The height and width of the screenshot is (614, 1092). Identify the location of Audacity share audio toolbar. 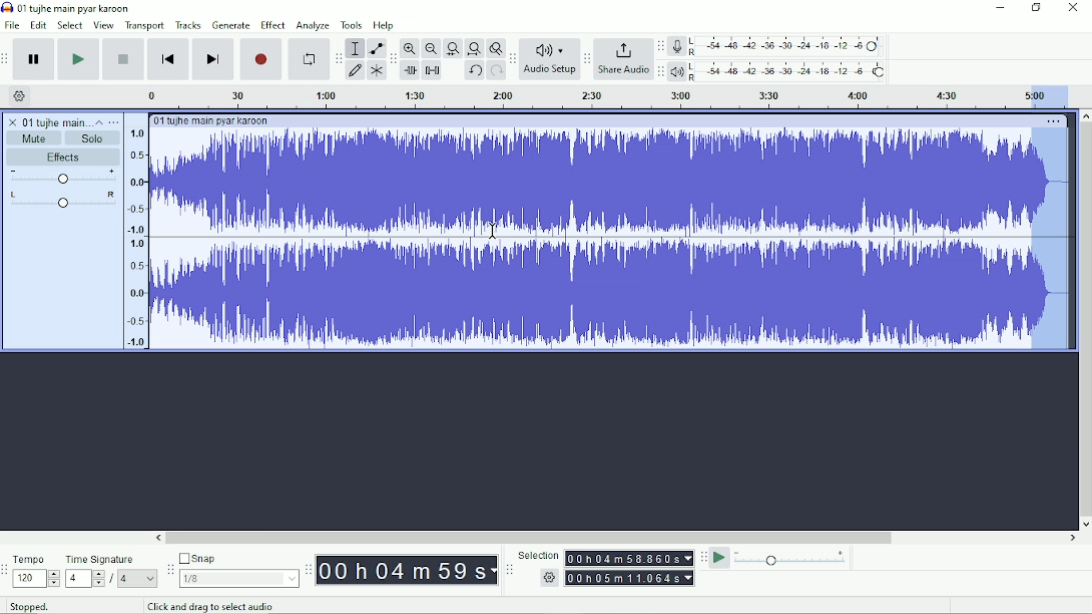
(588, 58).